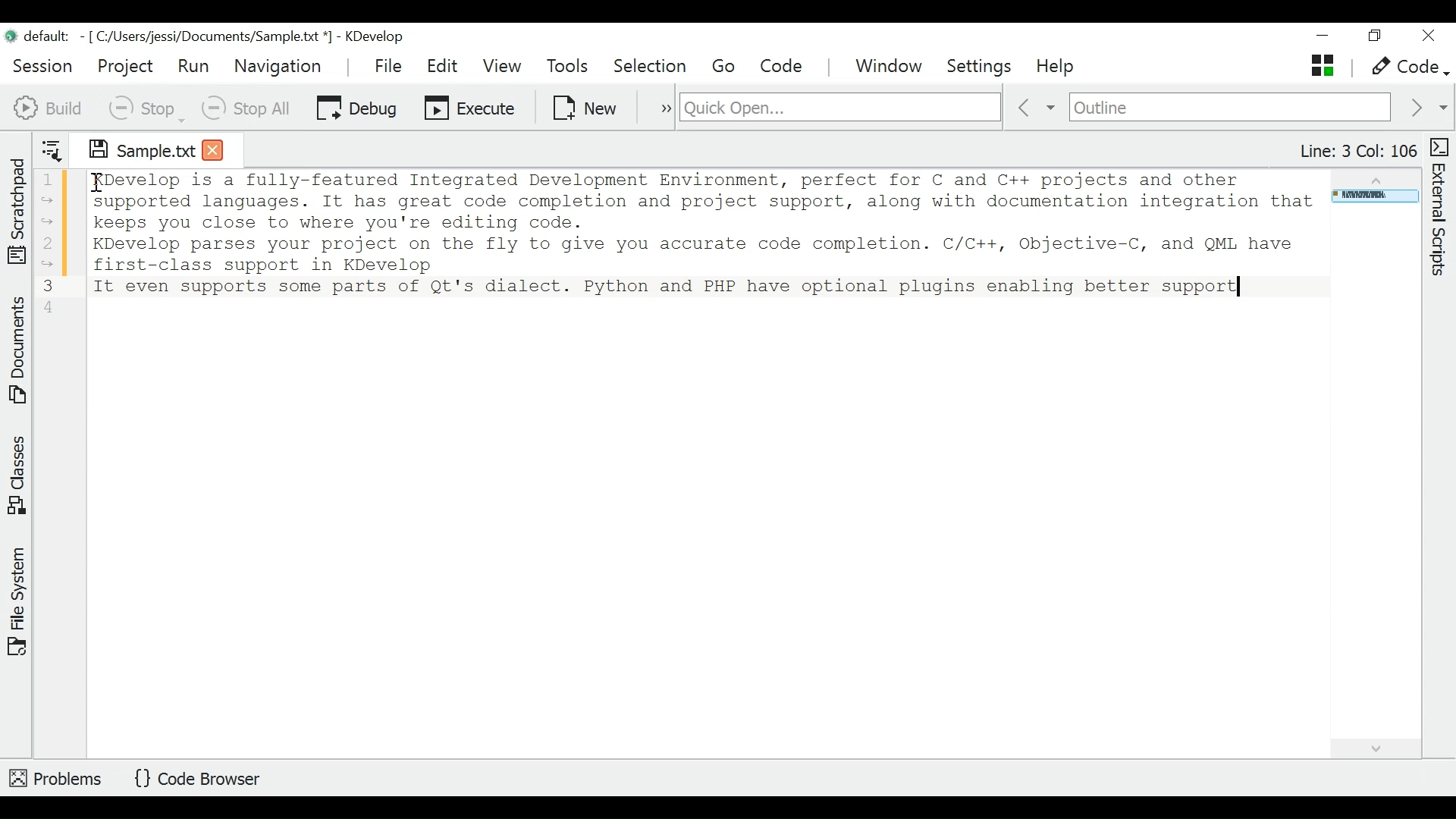  What do you see at coordinates (1325, 37) in the screenshot?
I see `minimize` at bounding box center [1325, 37].